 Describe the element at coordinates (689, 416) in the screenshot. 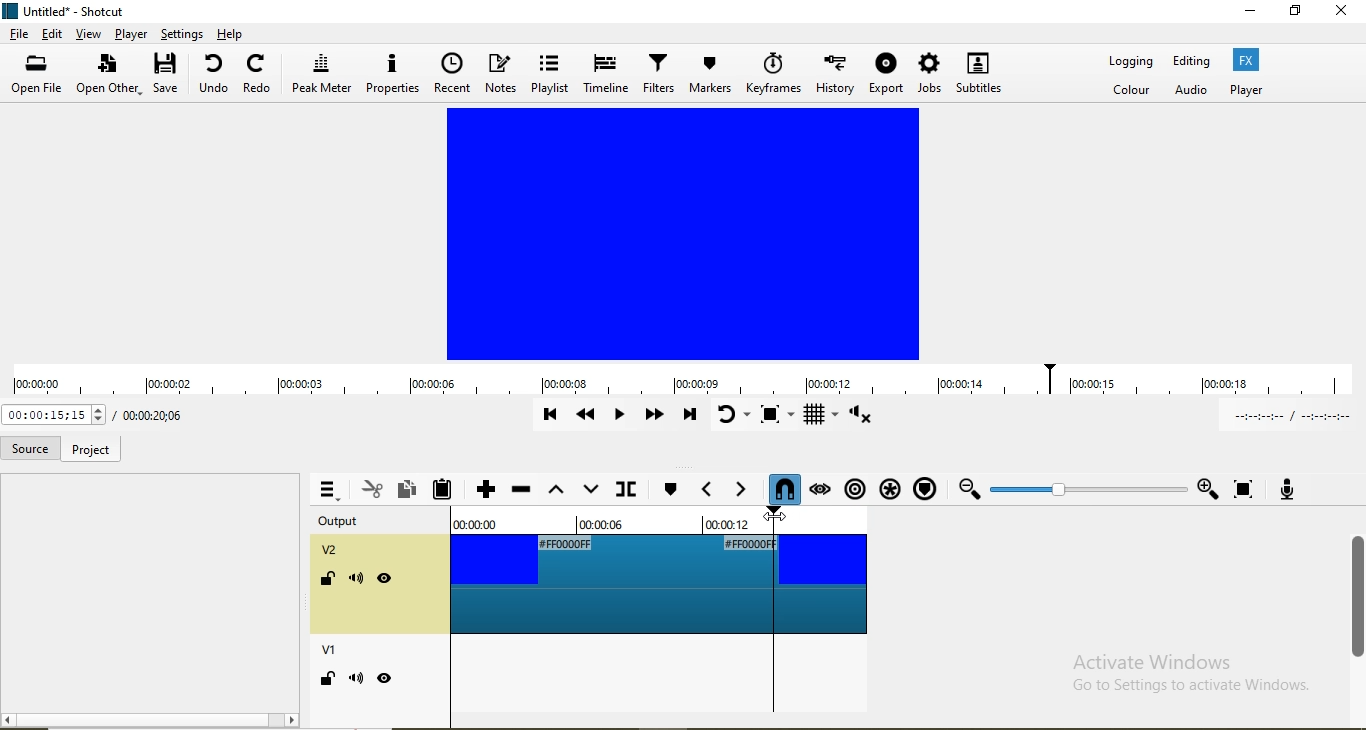

I see `Skip to the next point ` at that location.